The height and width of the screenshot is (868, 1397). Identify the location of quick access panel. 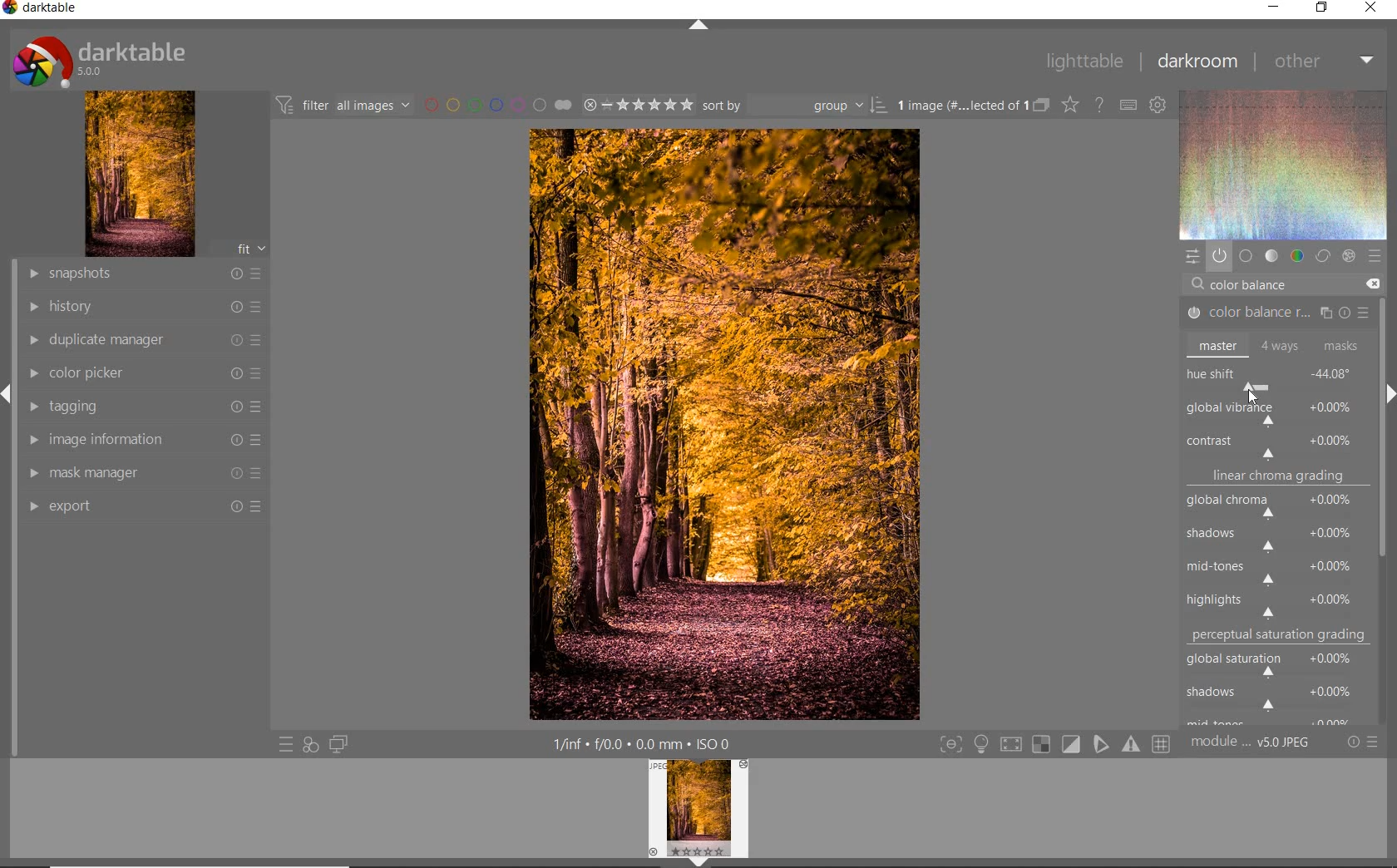
(1190, 256).